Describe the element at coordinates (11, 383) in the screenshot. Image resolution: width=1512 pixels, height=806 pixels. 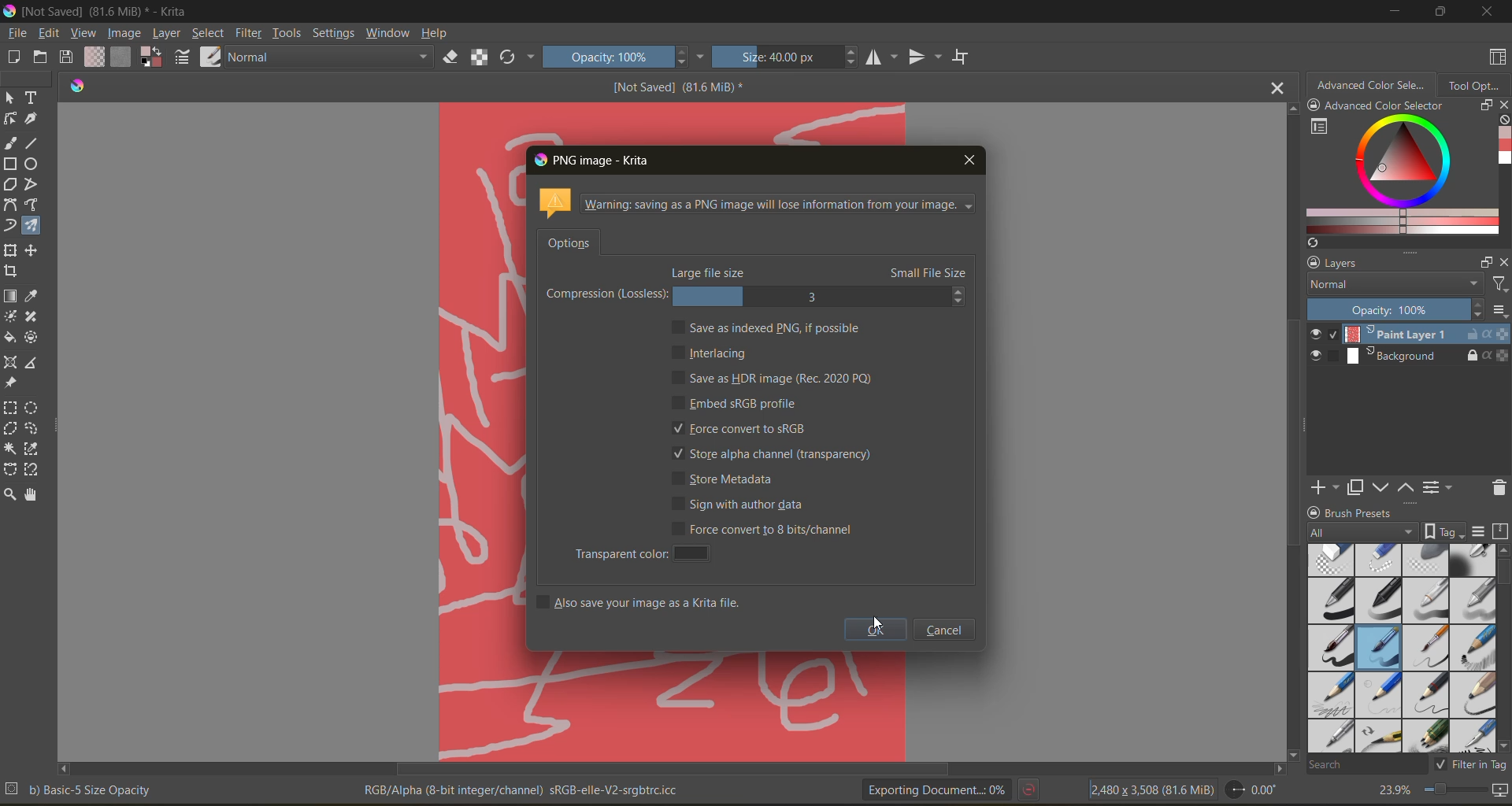
I see `tool` at that location.